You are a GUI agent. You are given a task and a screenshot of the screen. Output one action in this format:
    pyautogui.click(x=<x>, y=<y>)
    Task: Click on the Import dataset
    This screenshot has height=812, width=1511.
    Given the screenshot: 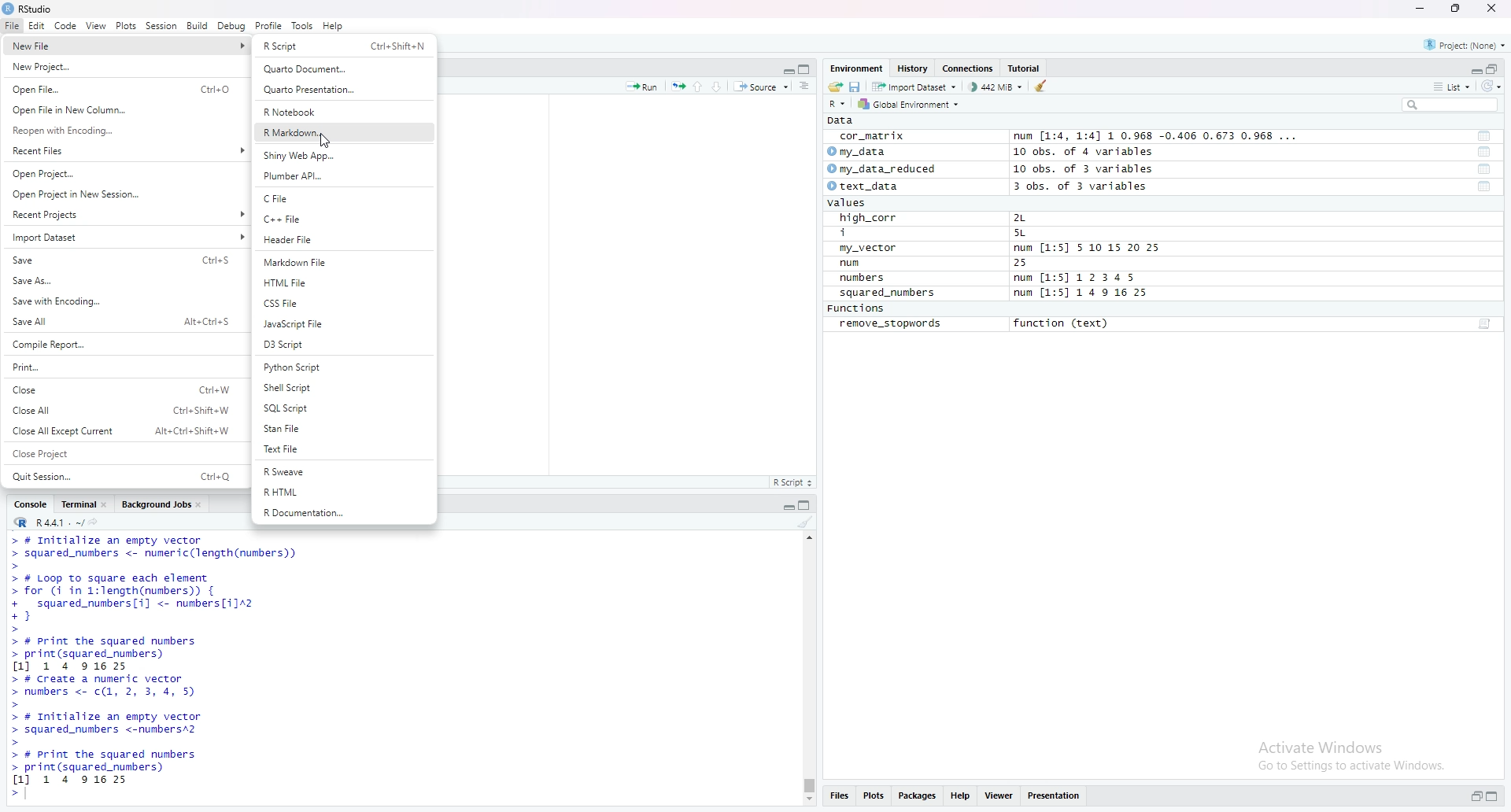 What is the action you would take?
    pyautogui.click(x=915, y=87)
    